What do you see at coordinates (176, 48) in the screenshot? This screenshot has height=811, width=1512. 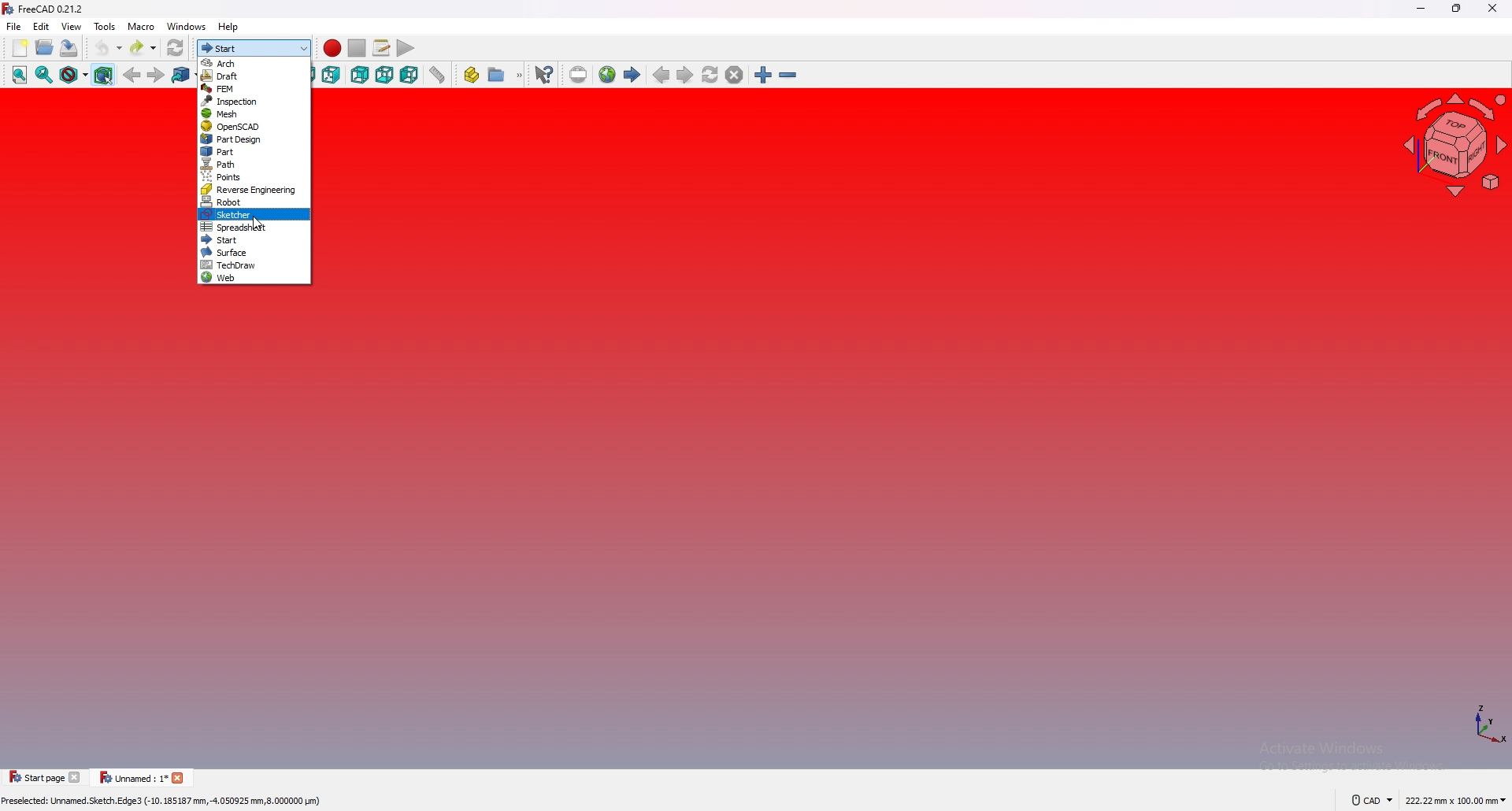 I see `refresh` at bounding box center [176, 48].